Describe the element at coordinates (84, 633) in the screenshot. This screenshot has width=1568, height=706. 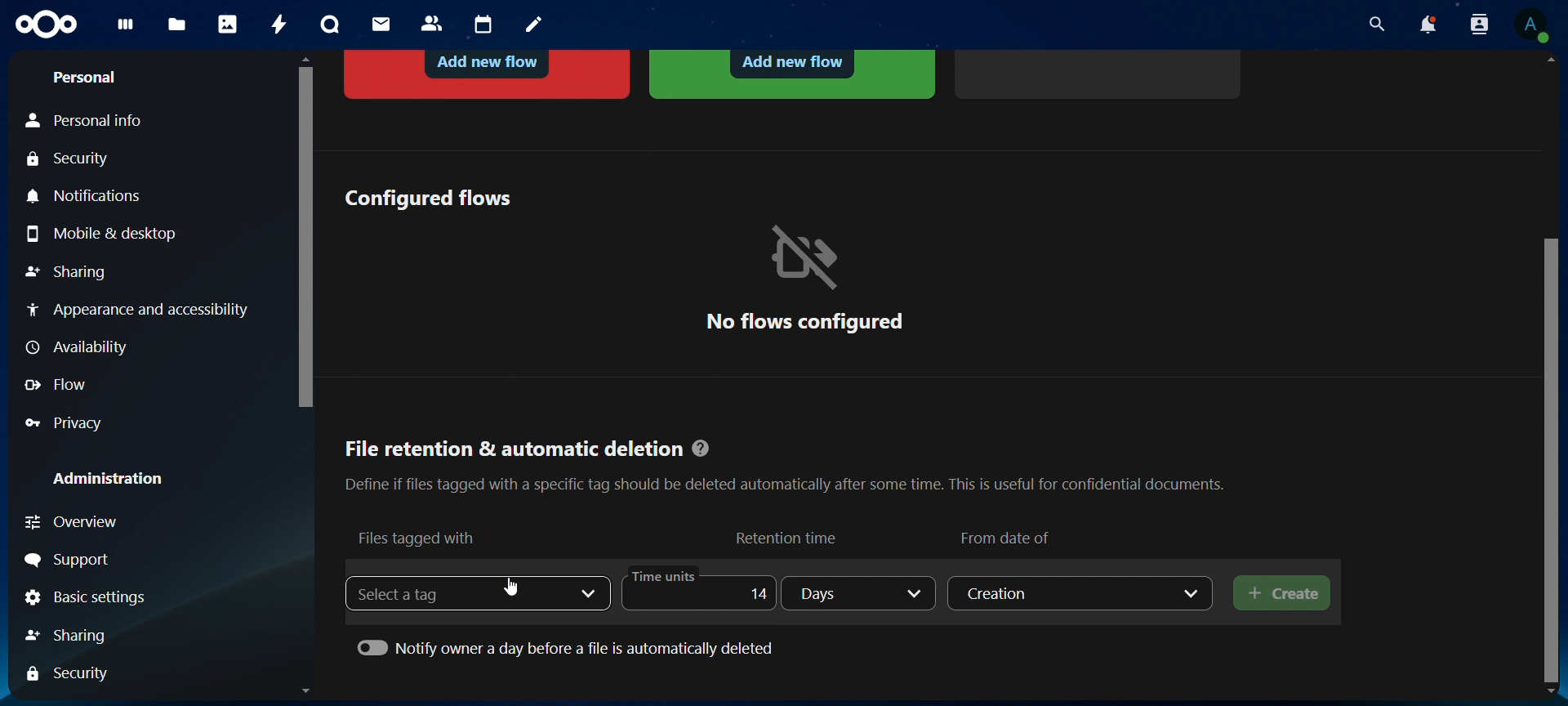
I see `sharing` at that location.